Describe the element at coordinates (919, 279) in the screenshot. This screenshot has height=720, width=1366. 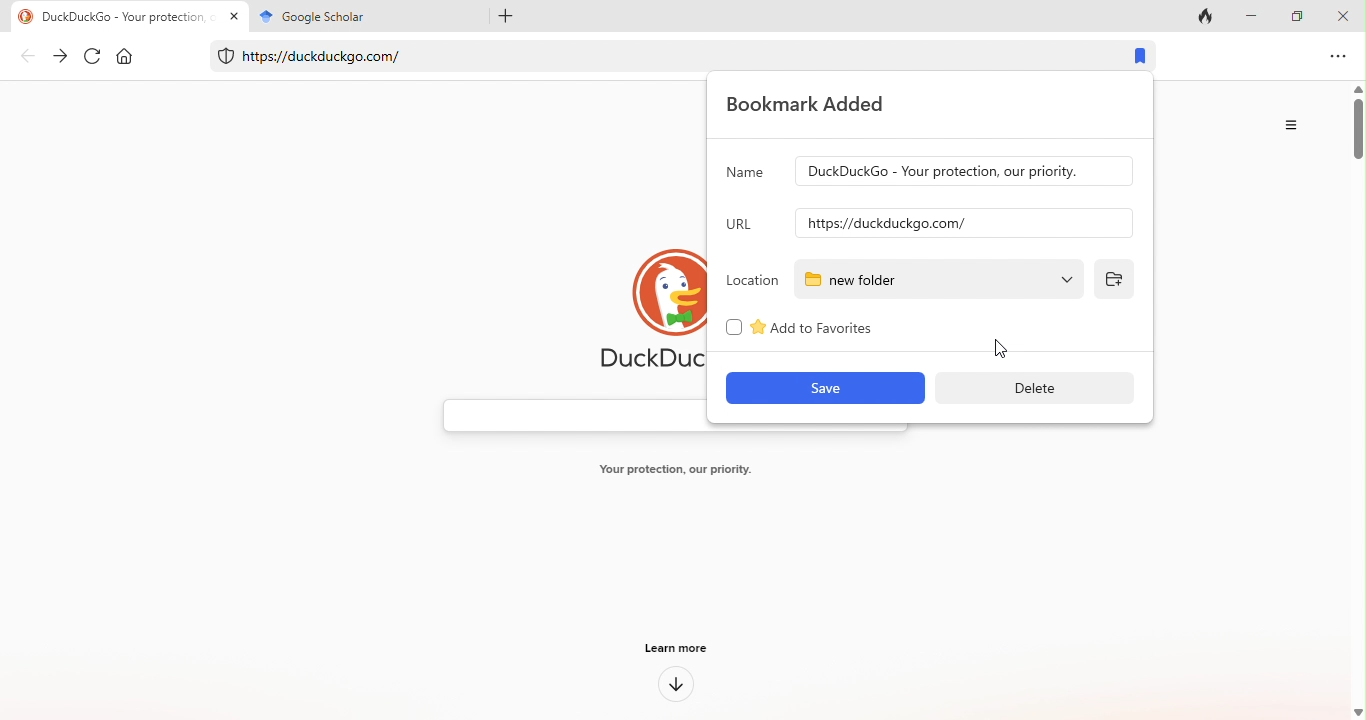
I see ` new folder` at that location.